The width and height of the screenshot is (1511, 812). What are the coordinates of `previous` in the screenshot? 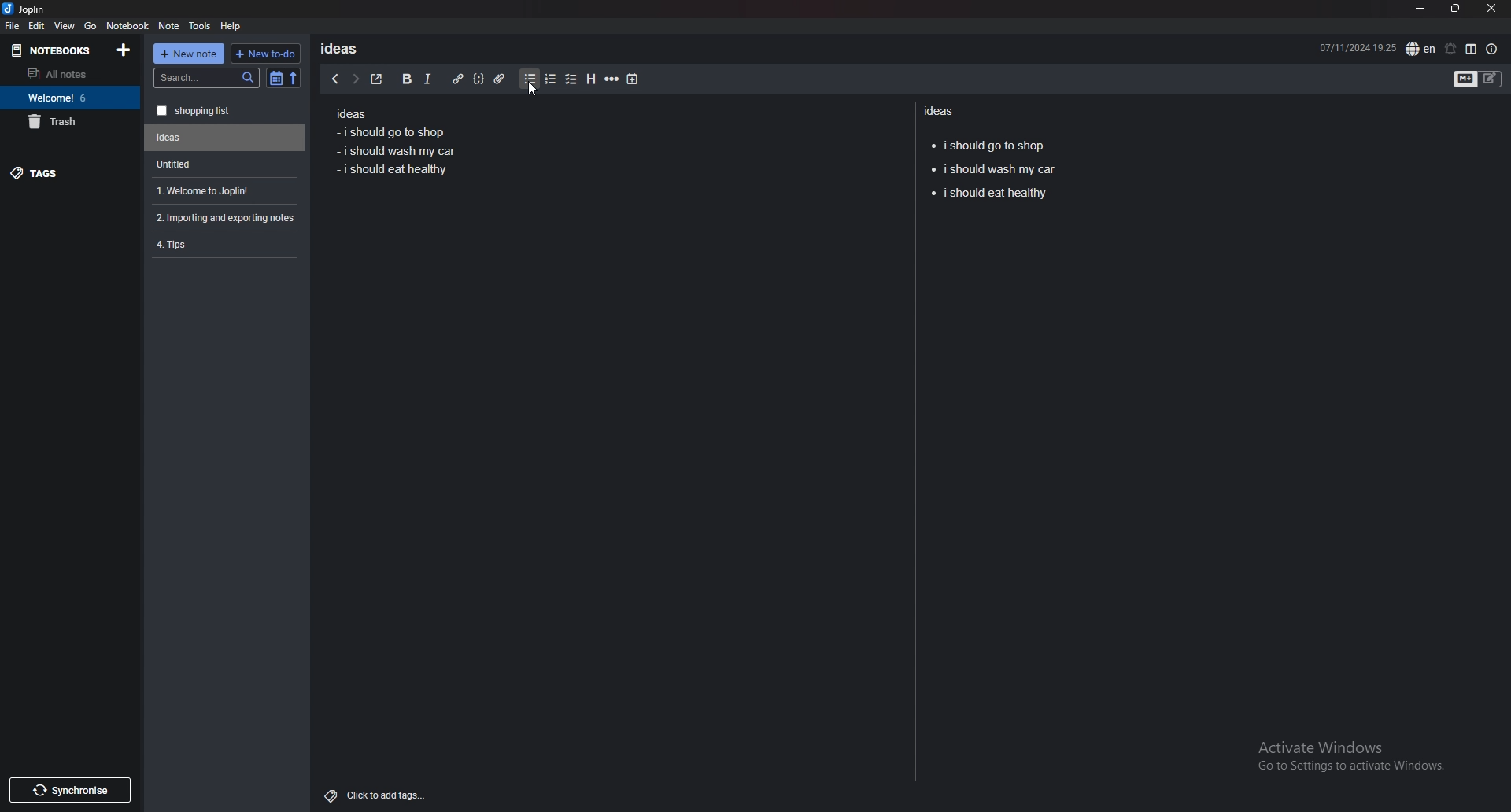 It's located at (334, 79).